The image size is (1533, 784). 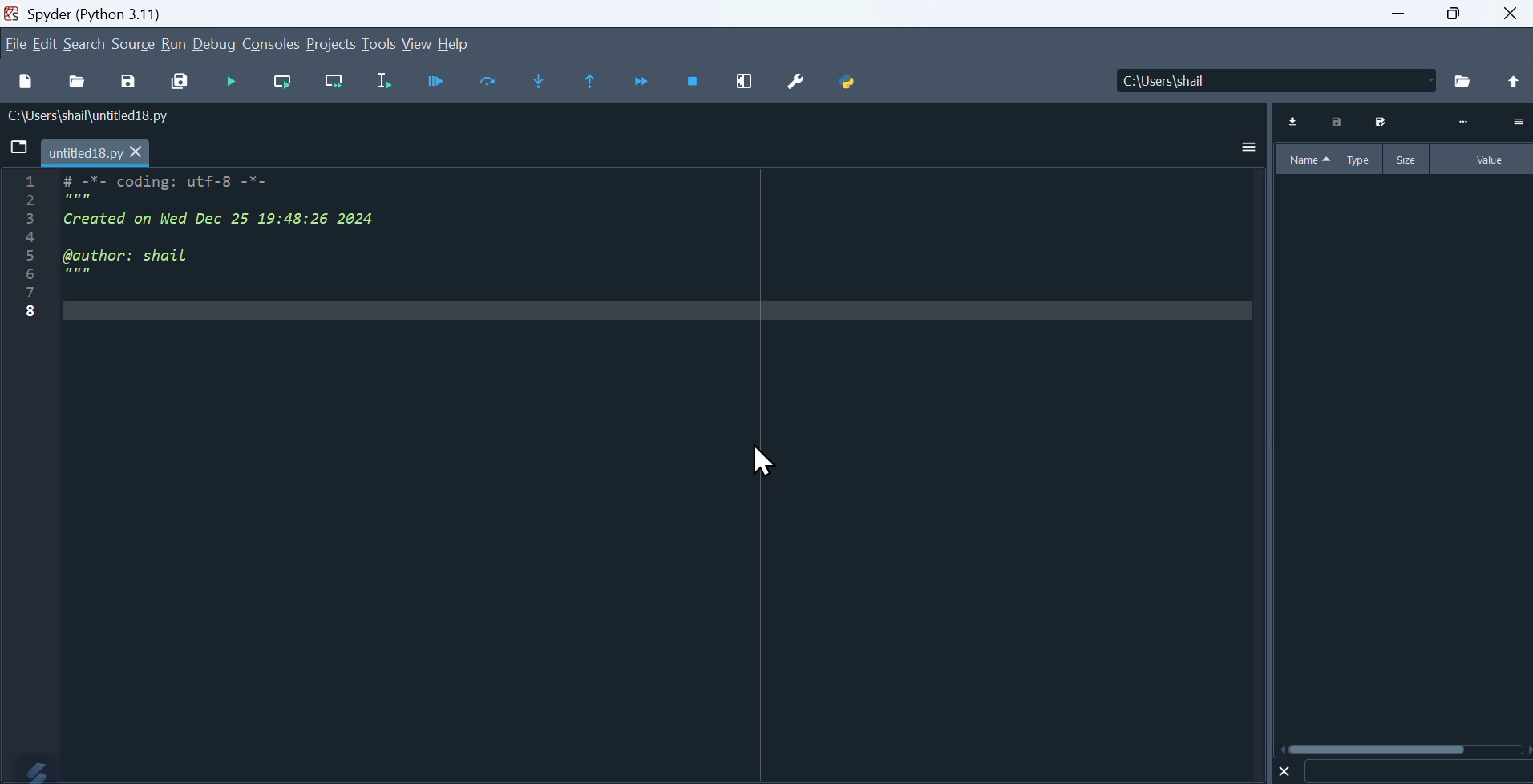 What do you see at coordinates (85, 44) in the screenshot?
I see `Search` at bounding box center [85, 44].